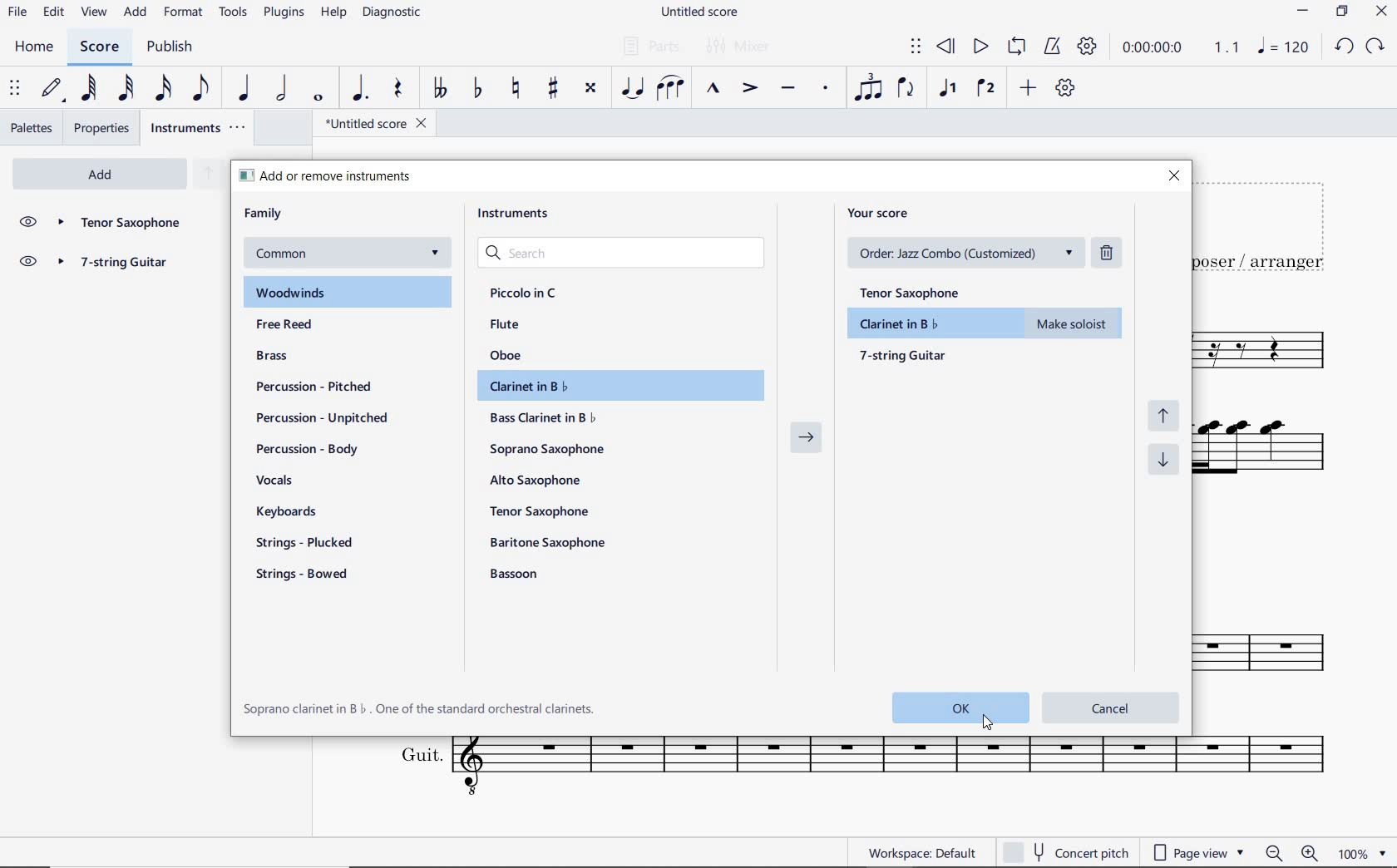 Image resolution: width=1397 pixels, height=868 pixels. Describe the element at coordinates (807, 442) in the screenshot. I see `add selected instrument to score` at that location.